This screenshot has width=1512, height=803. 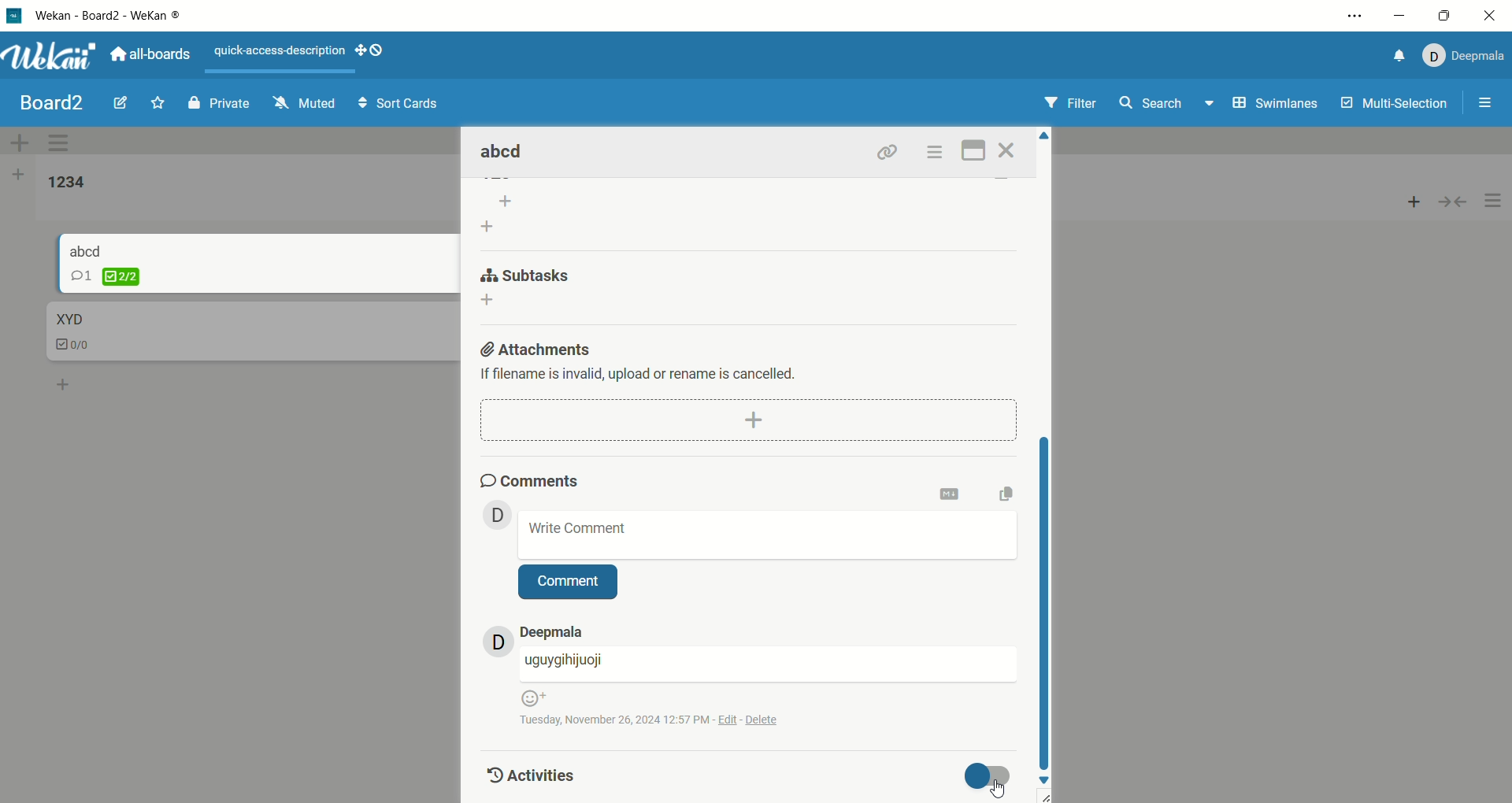 I want to click on vertical scroll bar, so click(x=1046, y=600).